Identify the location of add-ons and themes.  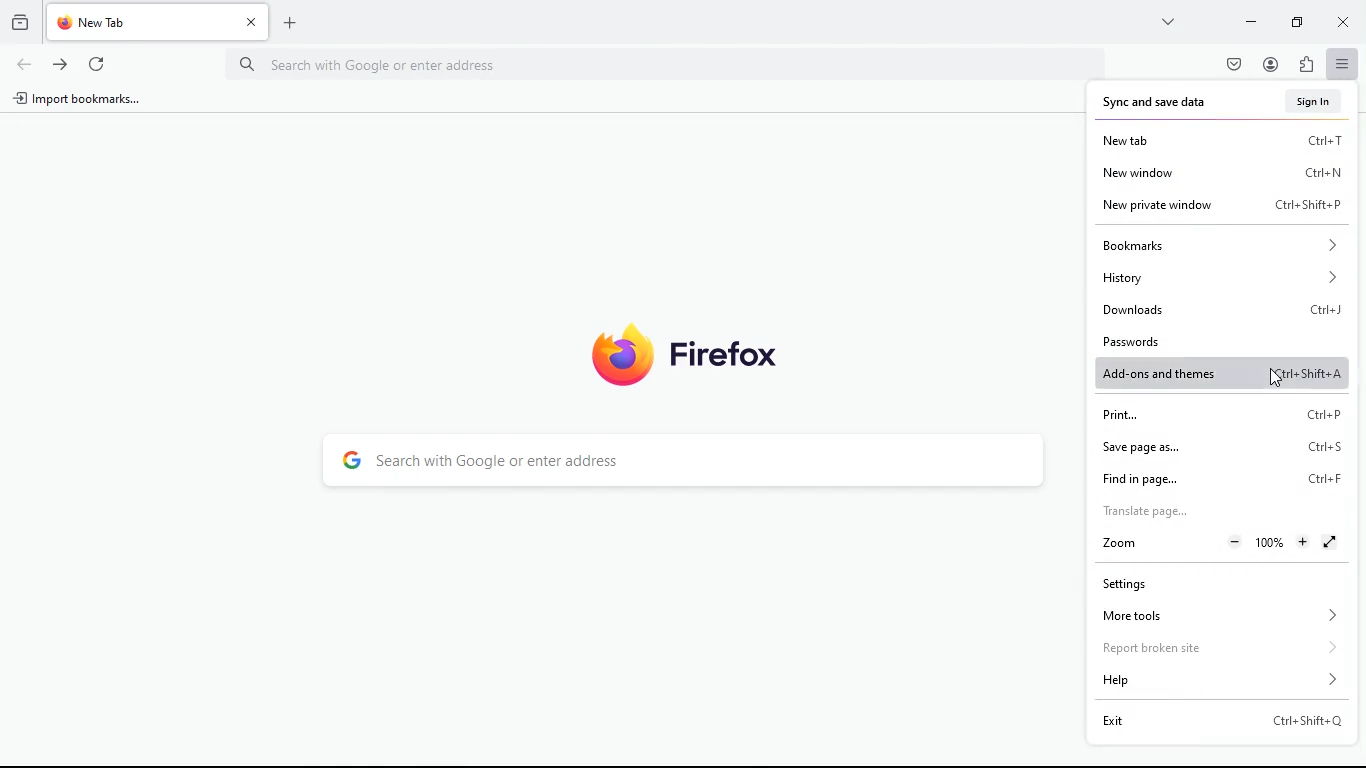
(1223, 373).